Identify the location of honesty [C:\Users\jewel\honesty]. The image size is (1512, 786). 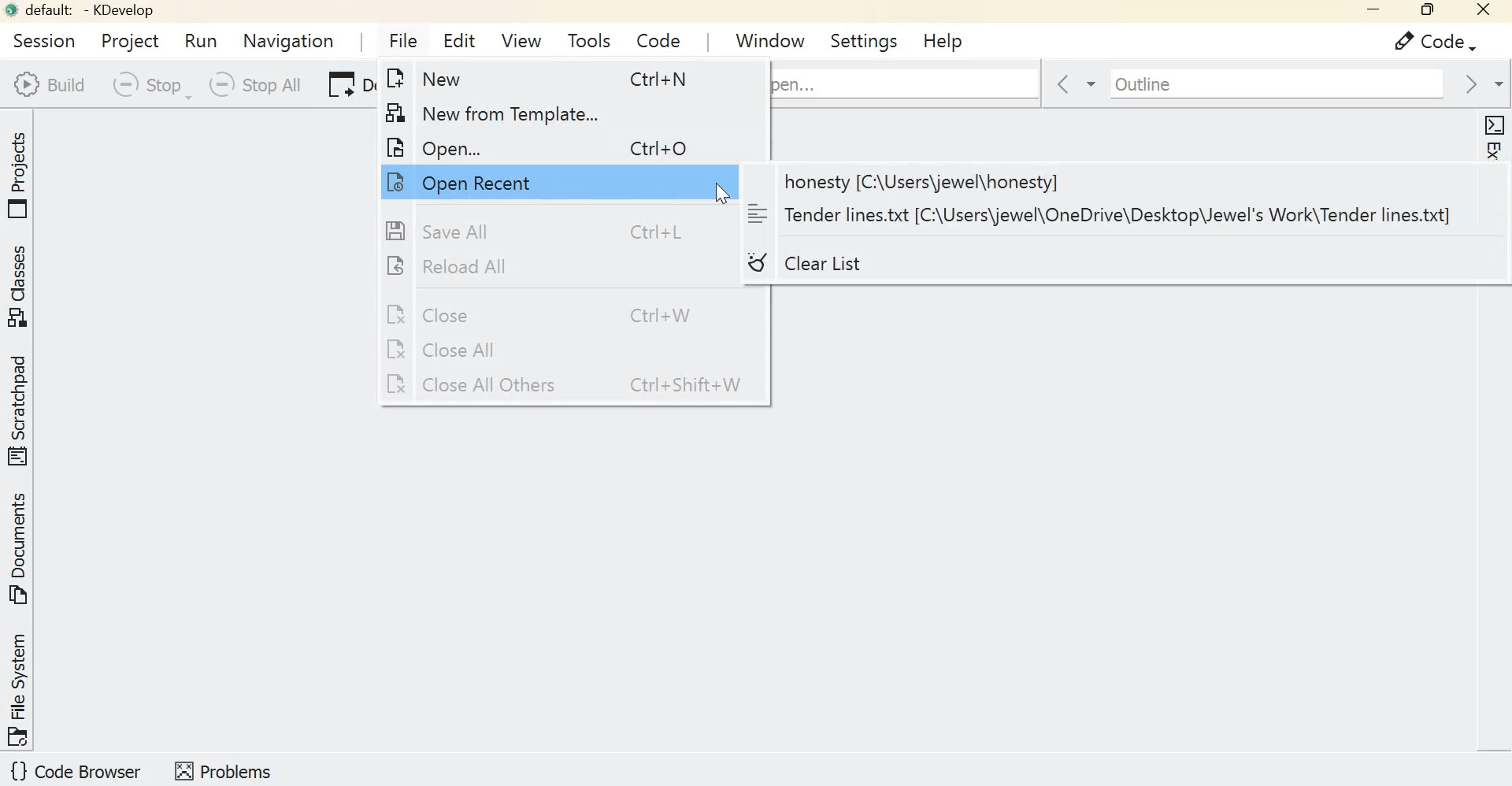
(1115, 182).